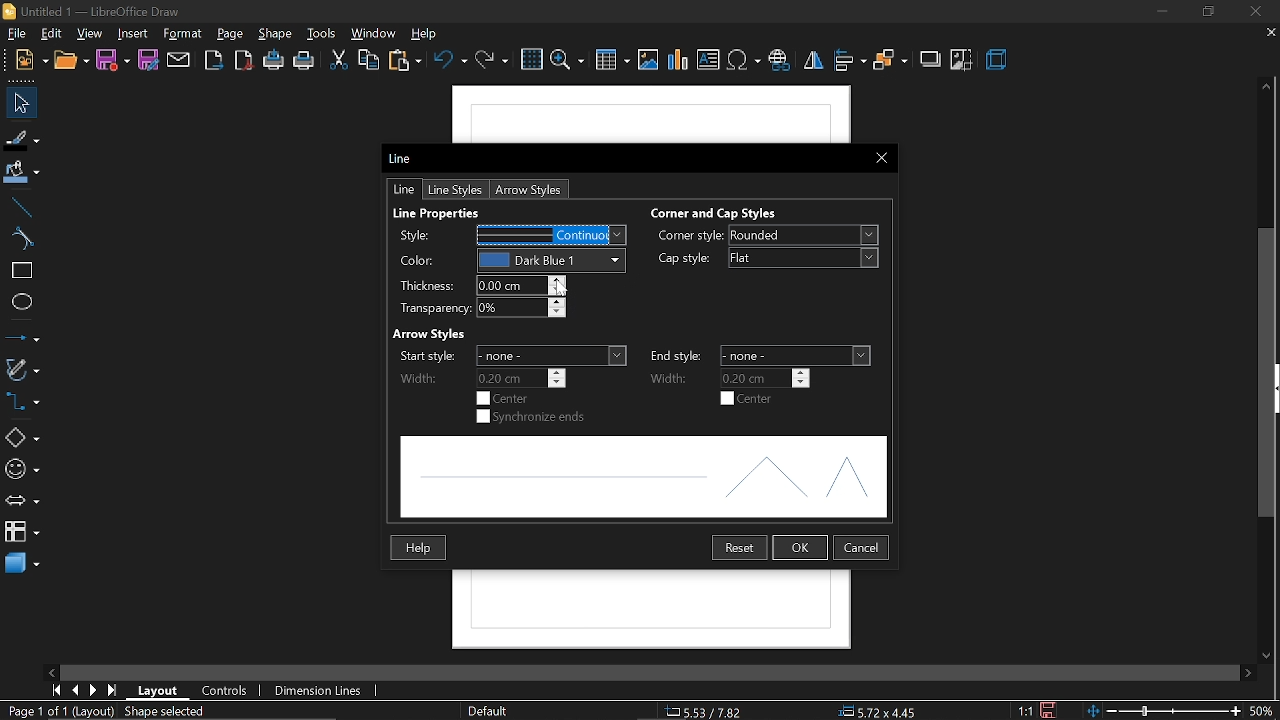  Describe the element at coordinates (245, 63) in the screenshot. I see `export as pdf` at that location.